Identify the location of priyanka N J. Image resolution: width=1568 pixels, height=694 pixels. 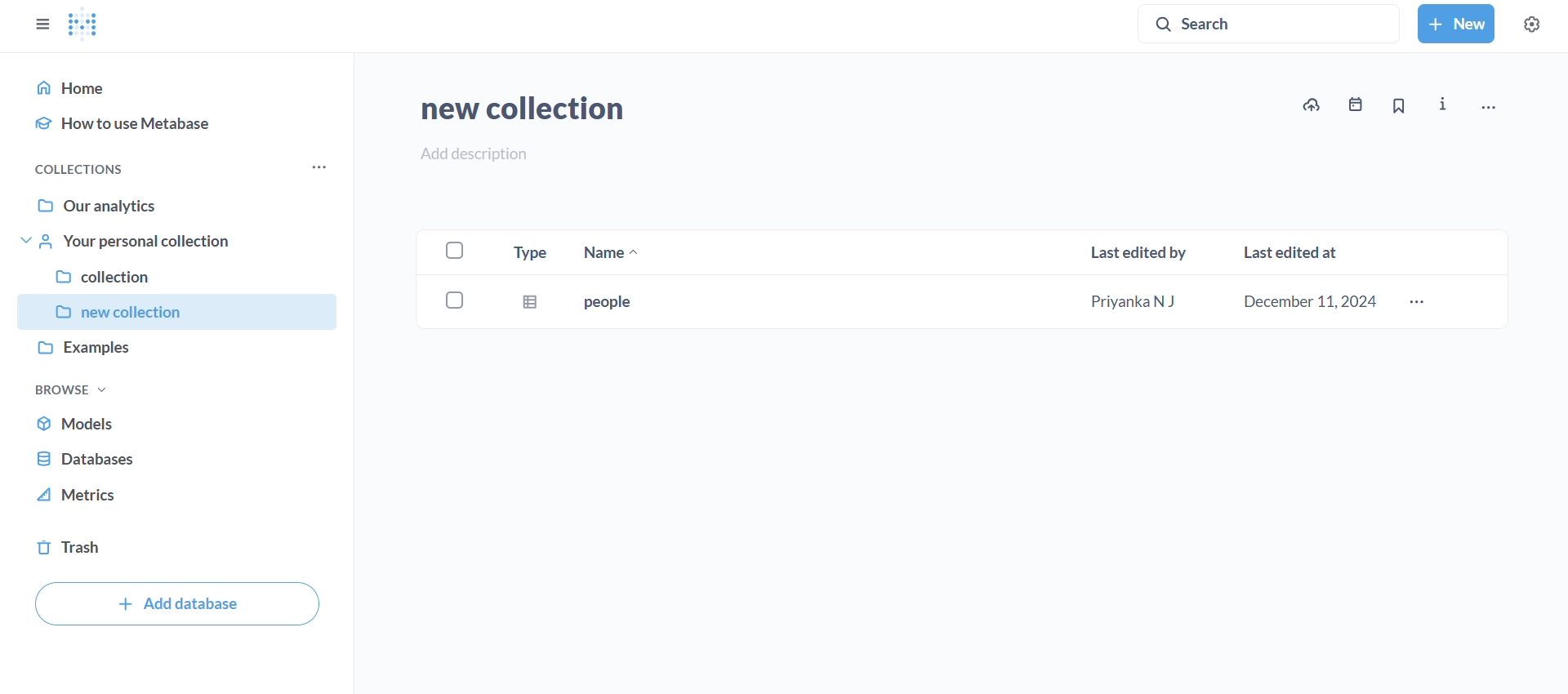
(1139, 301).